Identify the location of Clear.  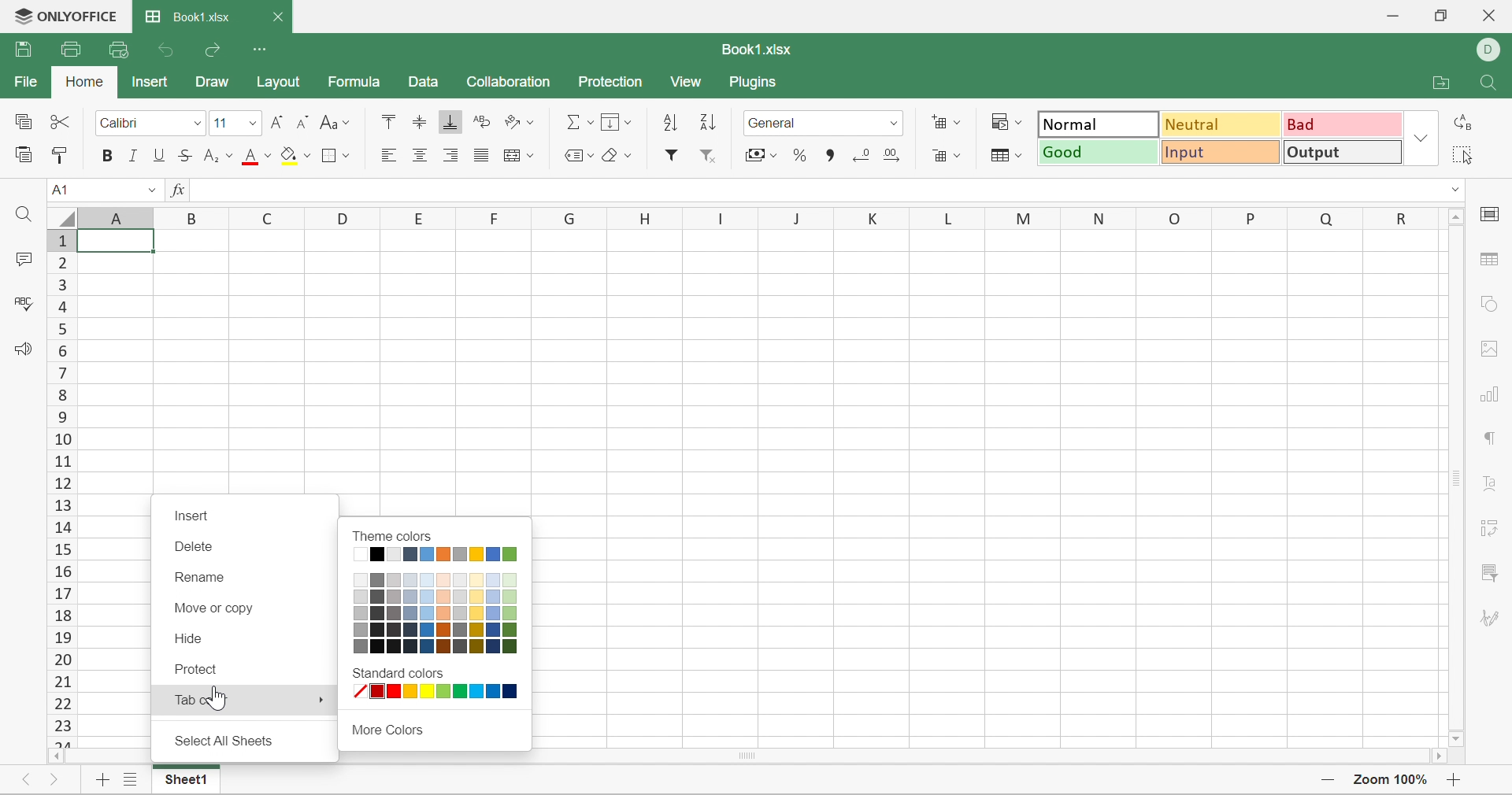
(615, 156).